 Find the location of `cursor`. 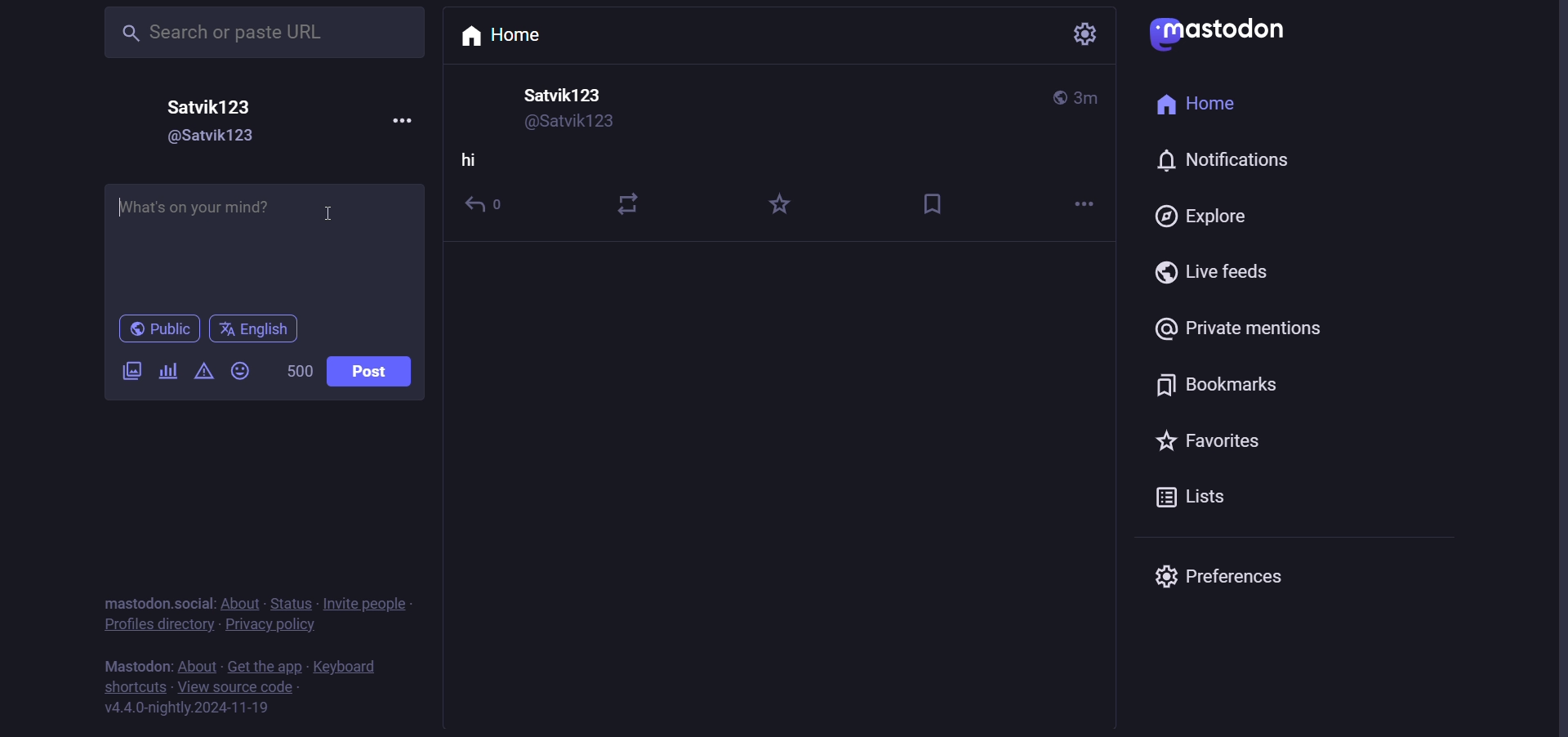

cursor is located at coordinates (327, 216).